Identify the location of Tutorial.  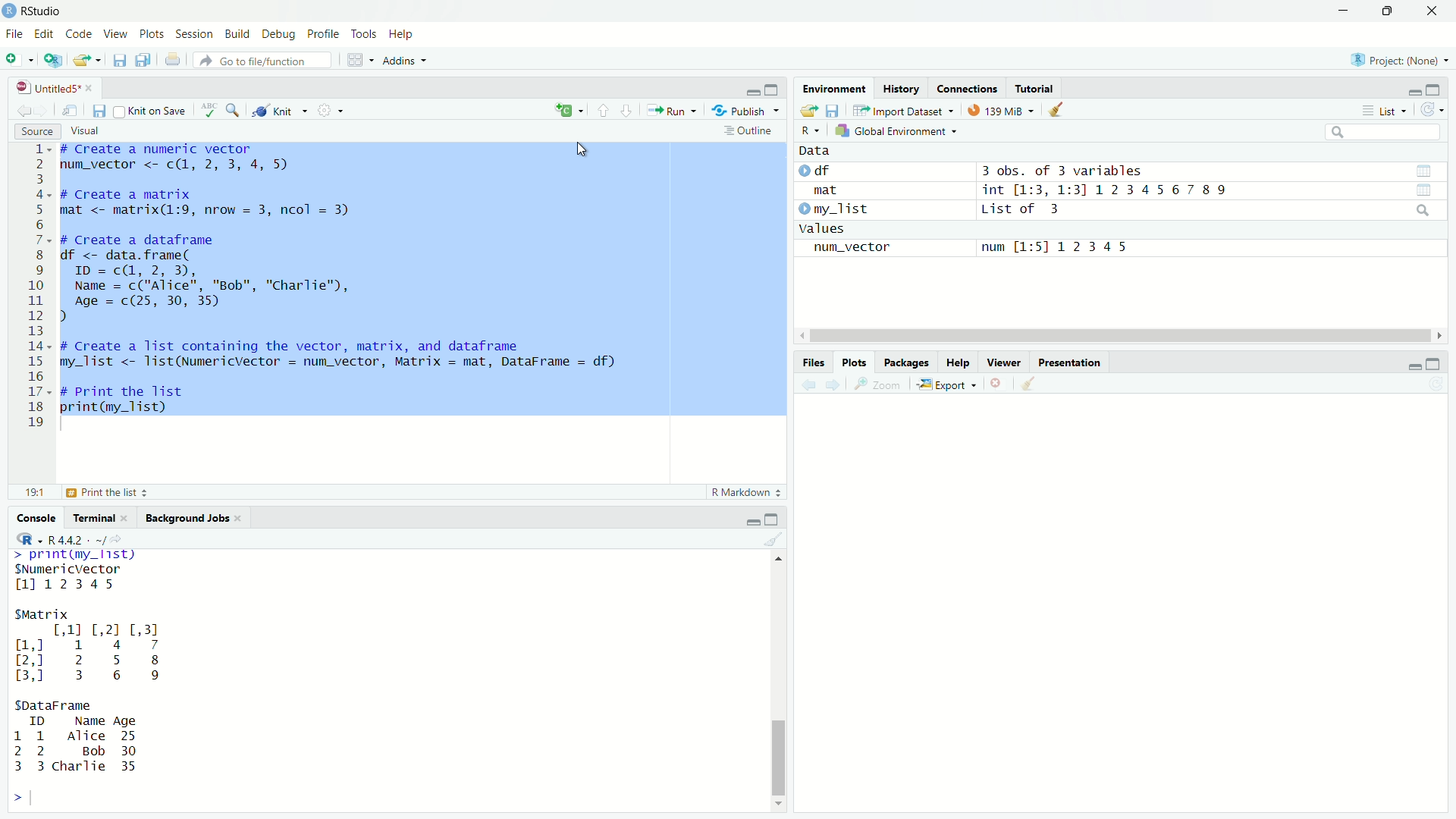
(1041, 87).